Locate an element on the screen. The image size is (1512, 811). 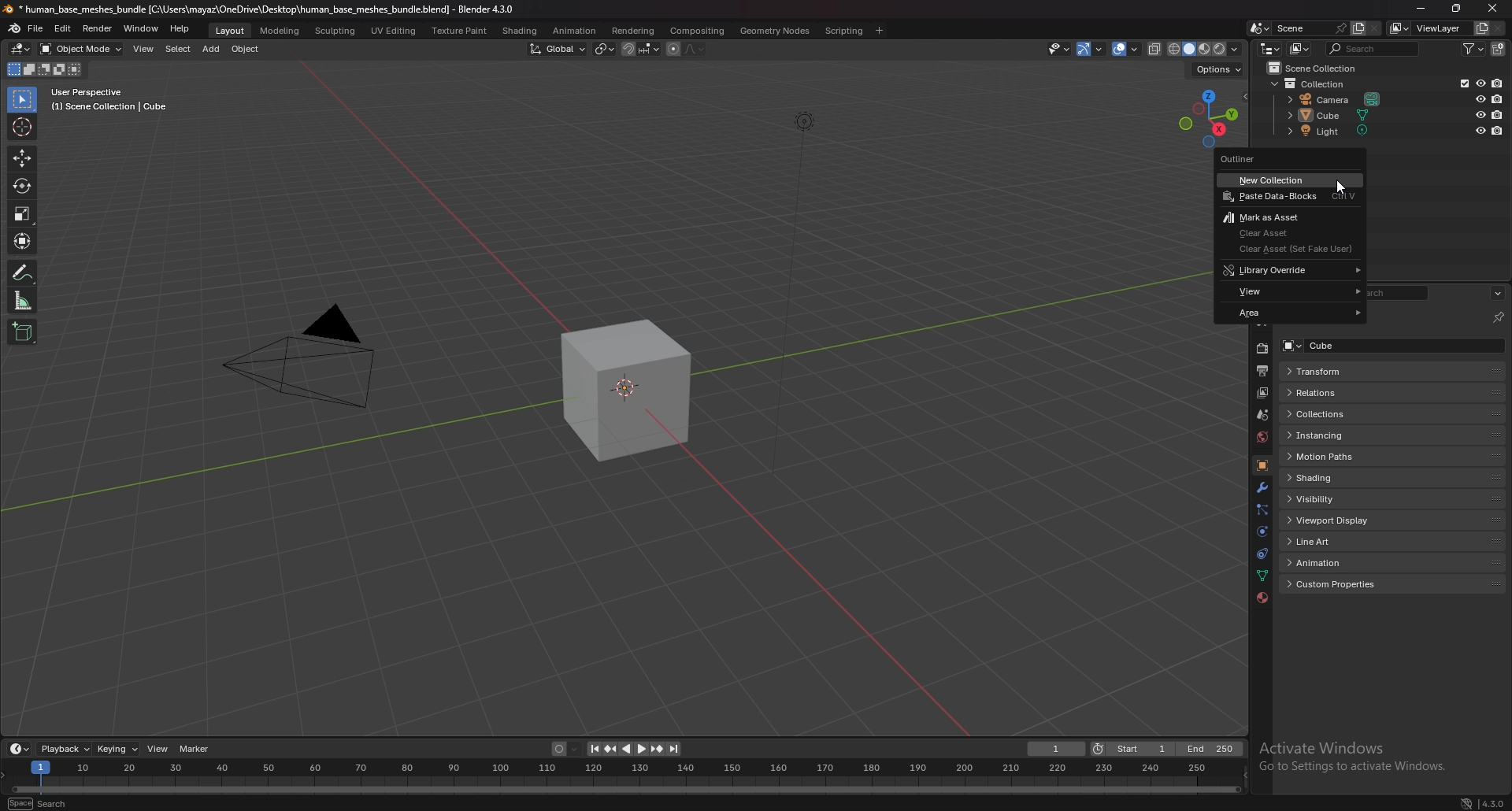
playback is located at coordinates (65, 749).